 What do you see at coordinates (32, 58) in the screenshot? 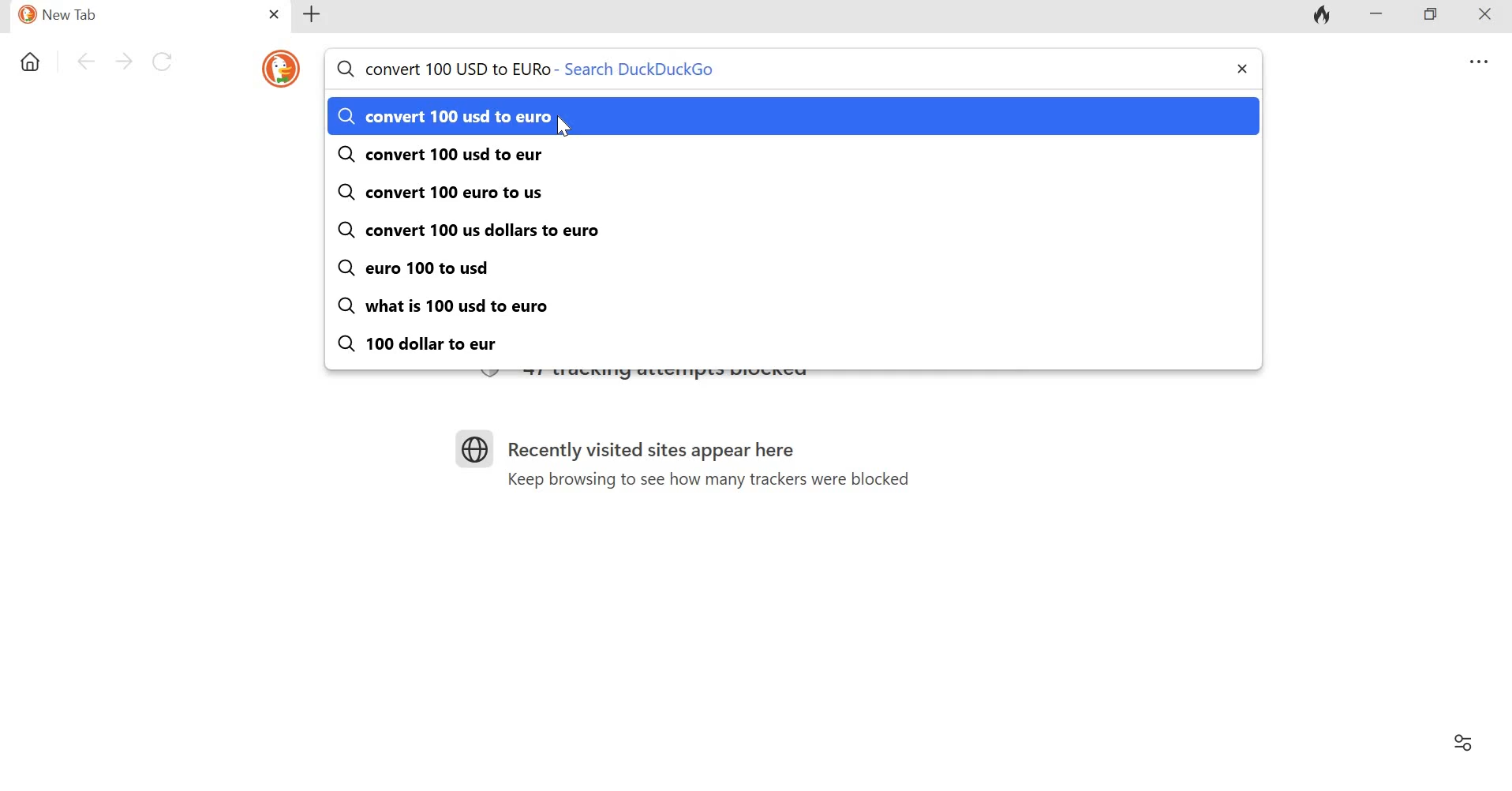
I see `Home` at bounding box center [32, 58].